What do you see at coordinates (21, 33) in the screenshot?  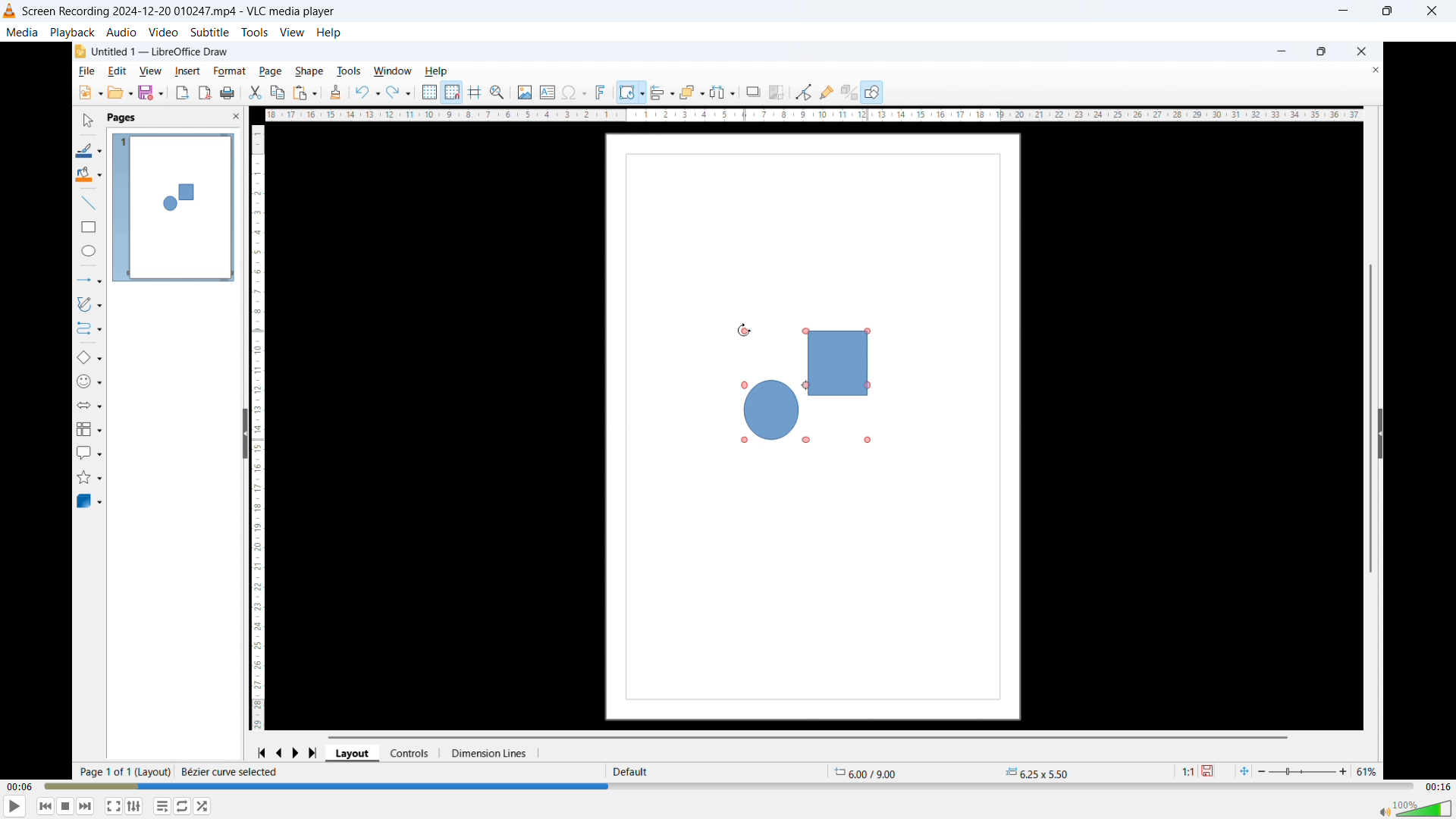 I see `Media ` at bounding box center [21, 33].